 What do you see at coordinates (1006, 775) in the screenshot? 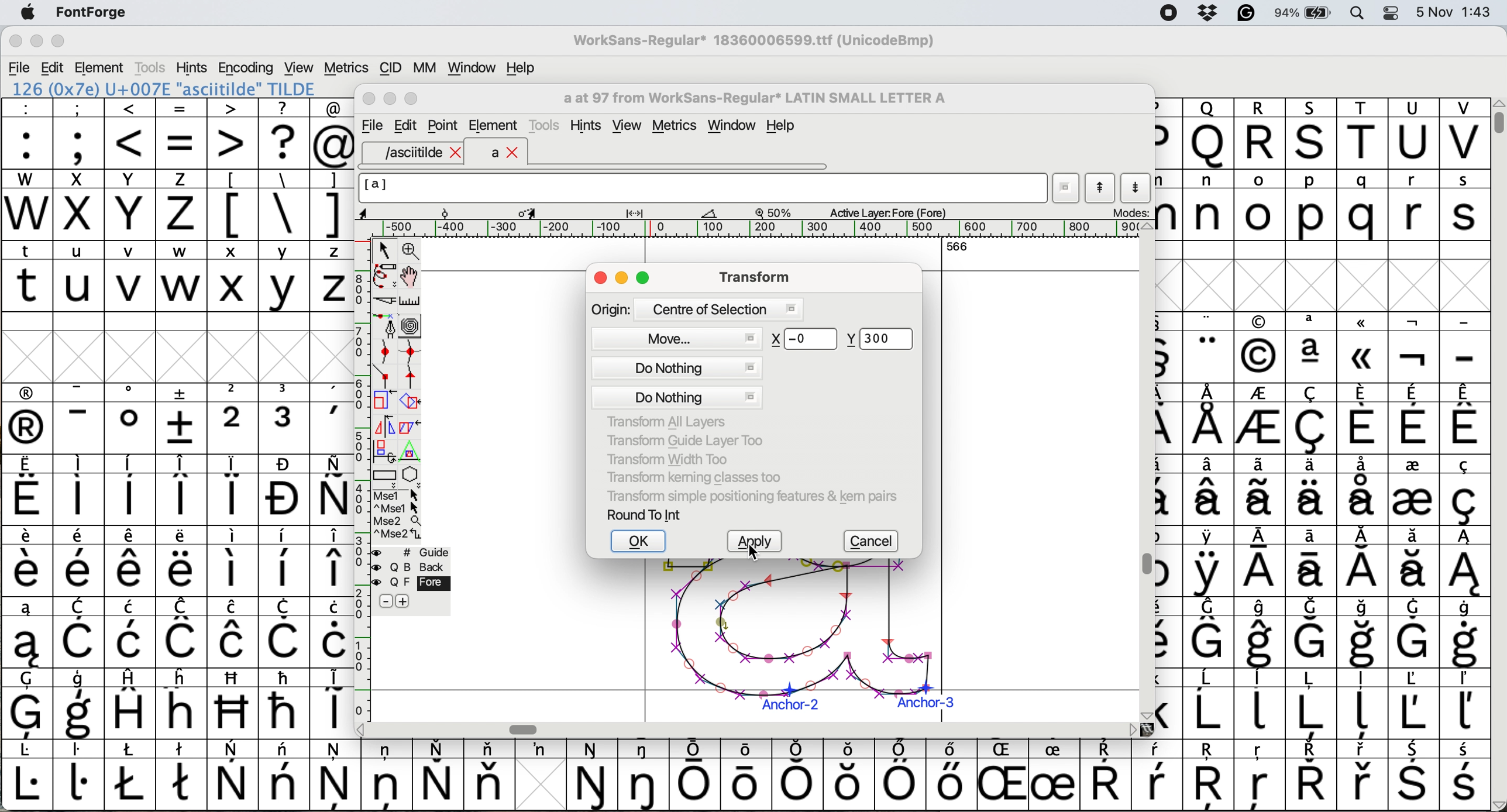
I see `` at bounding box center [1006, 775].